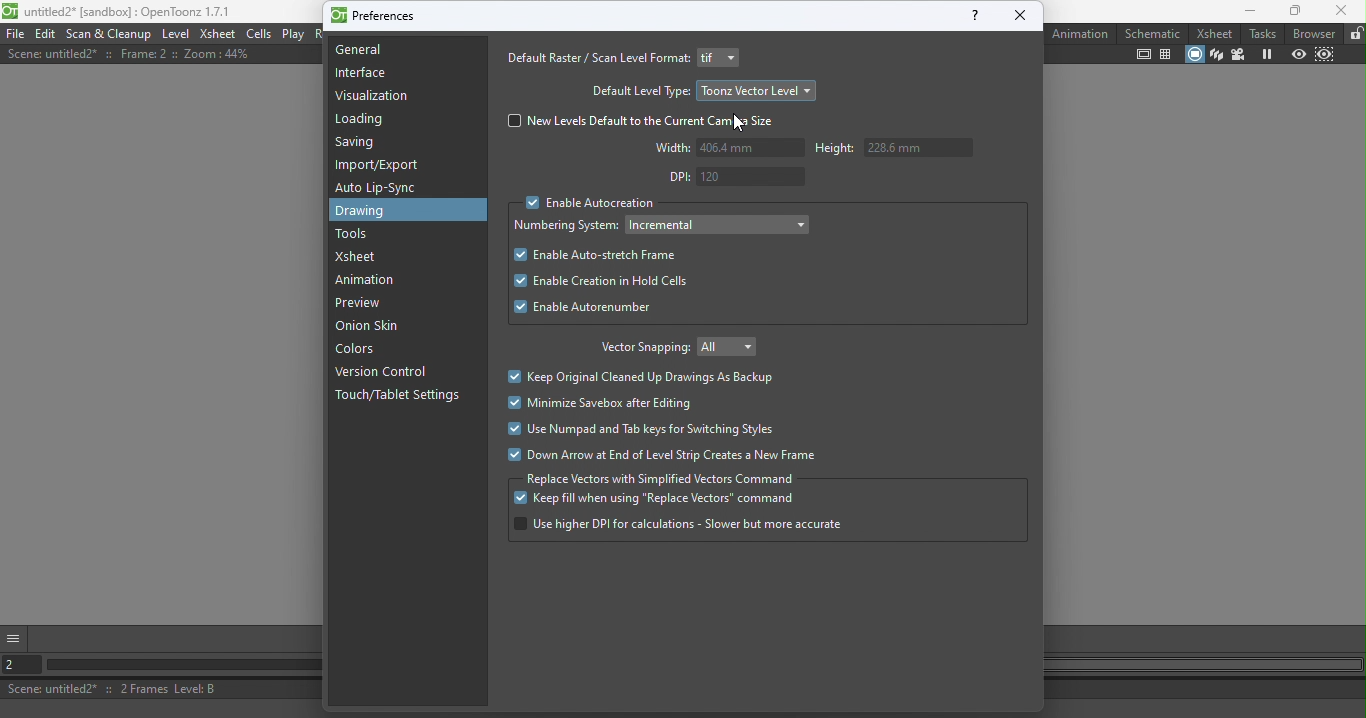 Image resolution: width=1366 pixels, height=718 pixels. What do you see at coordinates (720, 224) in the screenshot?
I see `Drop down menu` at bounding box center [720, 224].